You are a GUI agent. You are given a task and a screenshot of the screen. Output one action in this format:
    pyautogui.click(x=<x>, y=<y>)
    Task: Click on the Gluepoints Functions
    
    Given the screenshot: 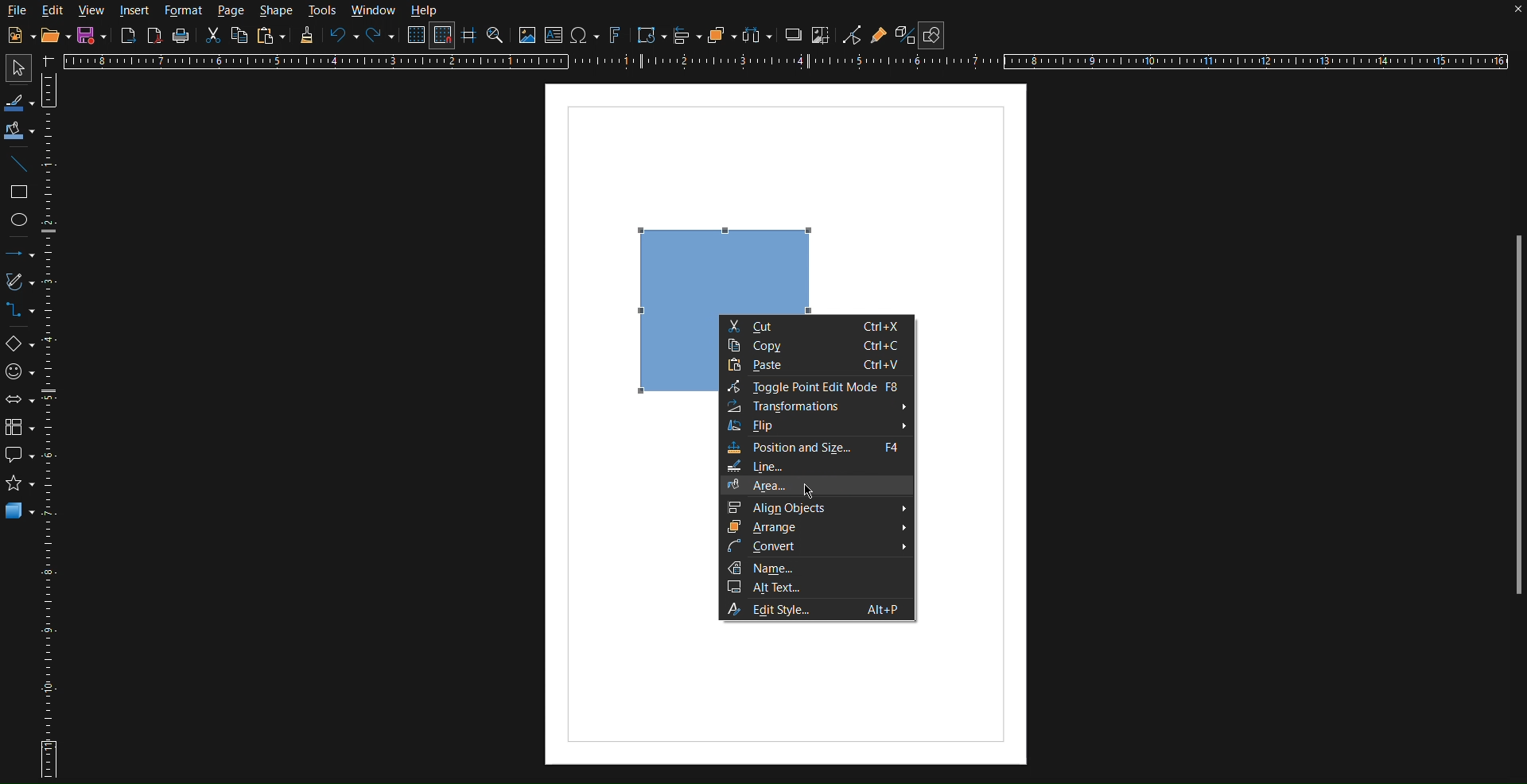 What is the action you would take?
    pyautogui.click(x=880, y=34)
    